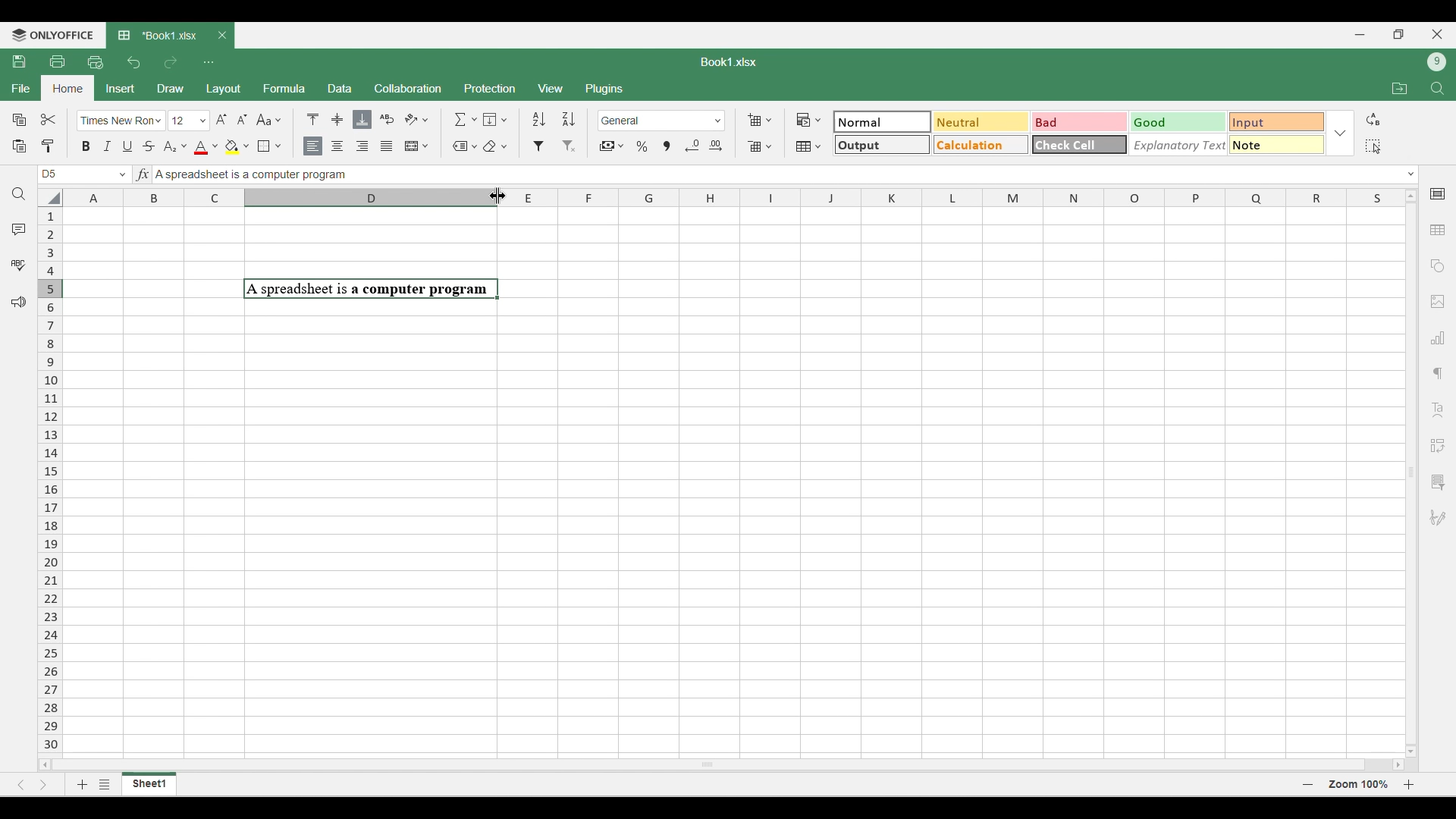  What do you see at coordinates (417, 119) in the screenshot?
I see `Orientation options` at bounding box center [417, 119].